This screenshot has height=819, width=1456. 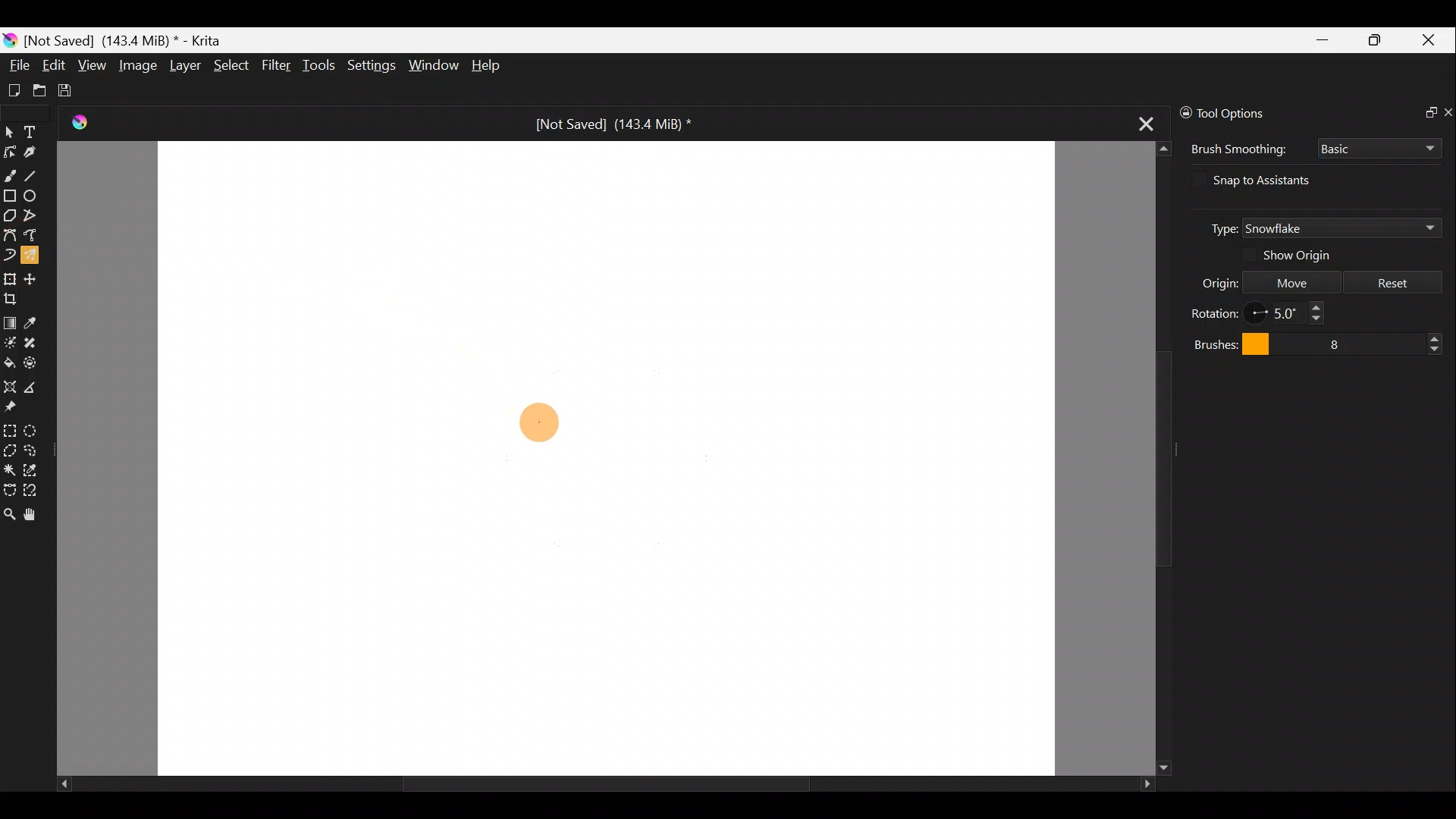 I want to click on View, so click(x=92, y=65).